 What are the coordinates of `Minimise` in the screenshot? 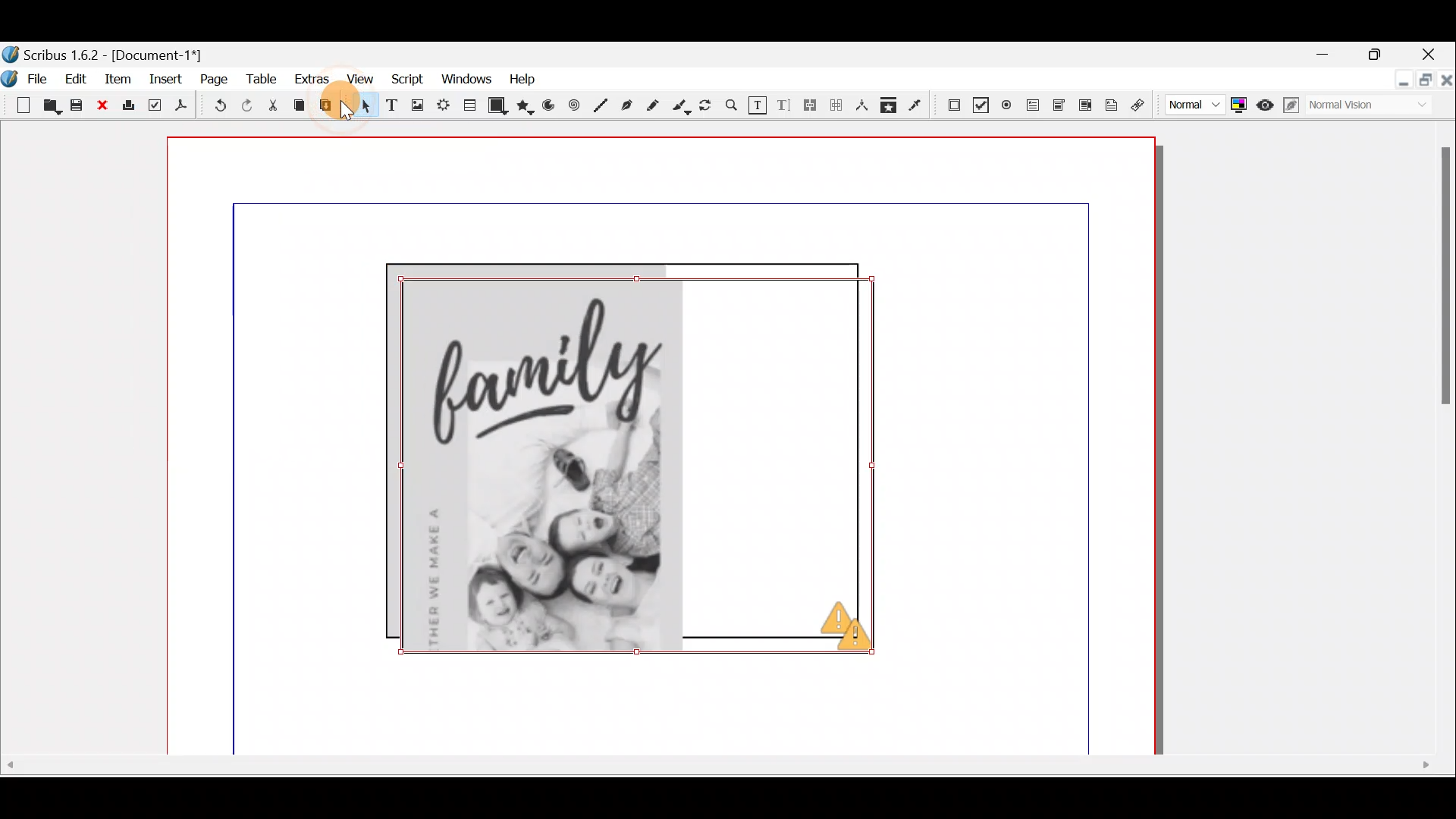 It's located at (1325, 55).